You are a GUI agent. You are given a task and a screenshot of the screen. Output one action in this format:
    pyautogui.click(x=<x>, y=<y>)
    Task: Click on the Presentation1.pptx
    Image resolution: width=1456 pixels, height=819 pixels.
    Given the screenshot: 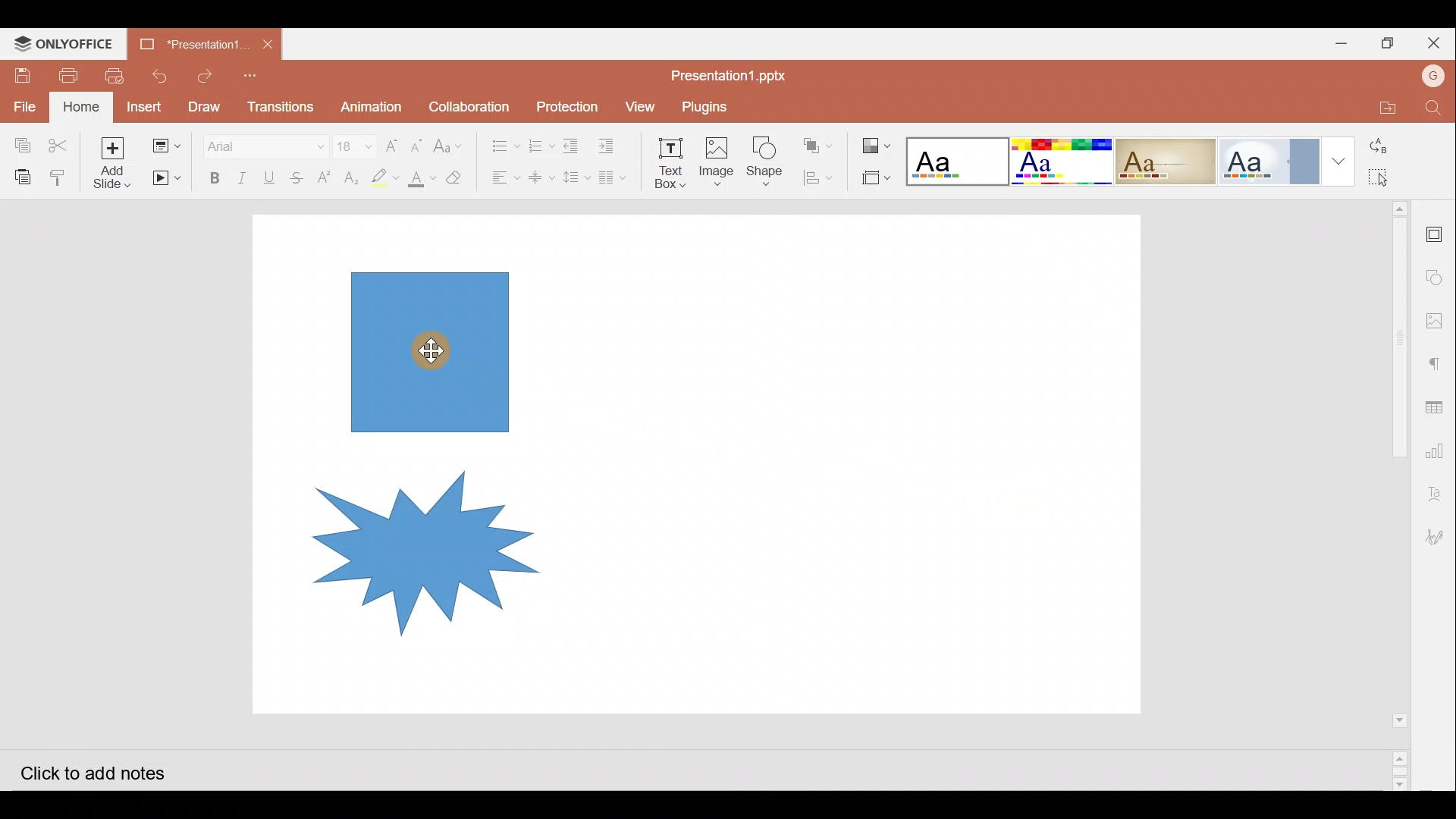 What is the action you would take?
    pyautogui.click(x=733, y=73)
    